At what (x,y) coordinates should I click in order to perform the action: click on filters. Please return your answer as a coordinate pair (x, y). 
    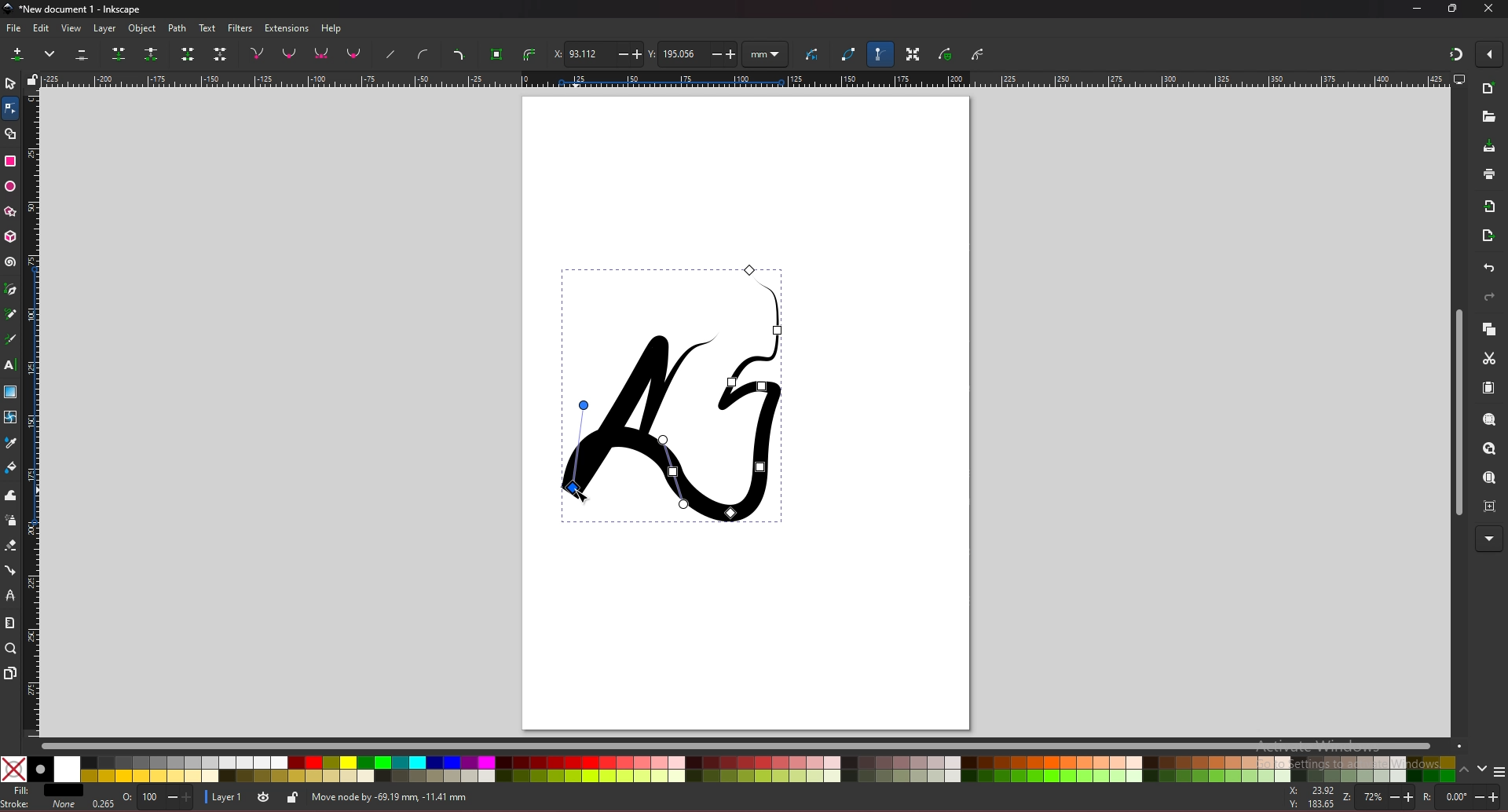
    Looking at the image, I should click on (240, 28).